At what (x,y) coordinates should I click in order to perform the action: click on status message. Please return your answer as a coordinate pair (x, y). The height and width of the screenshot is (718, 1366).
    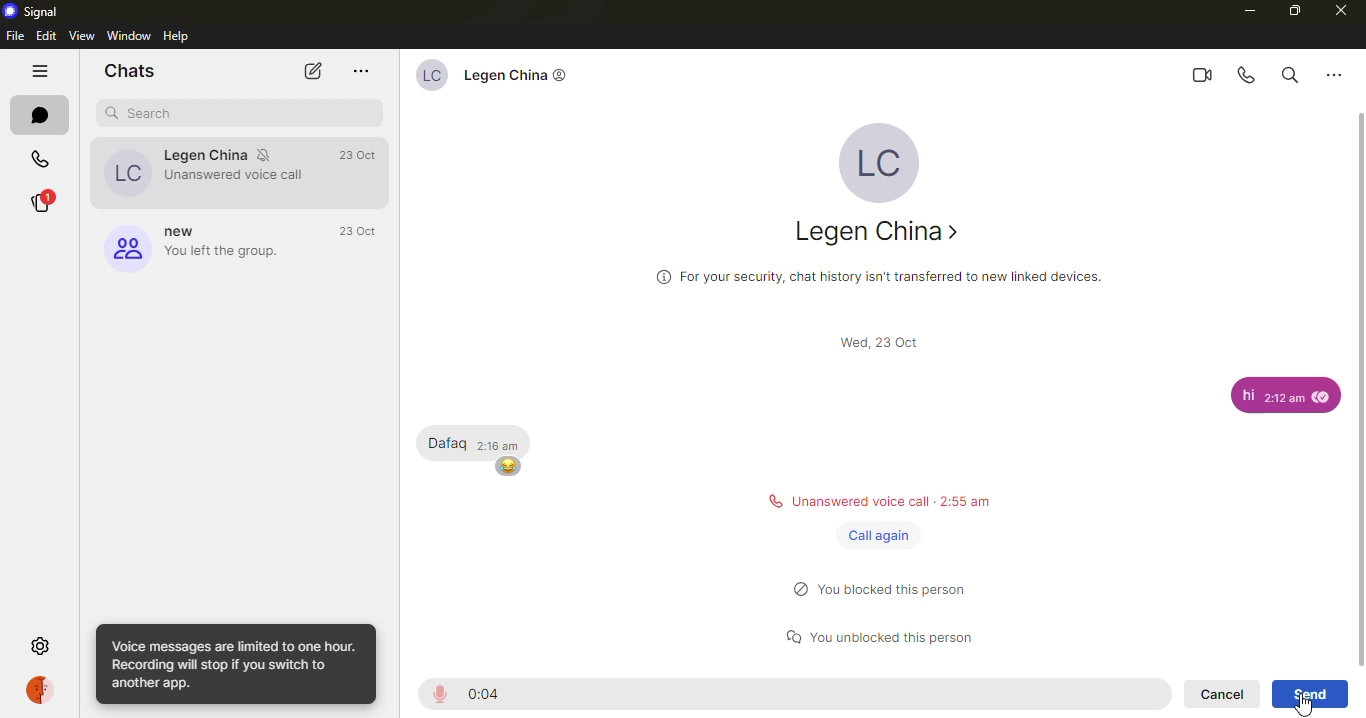
    Looking at the image, I should click on (880, 632).